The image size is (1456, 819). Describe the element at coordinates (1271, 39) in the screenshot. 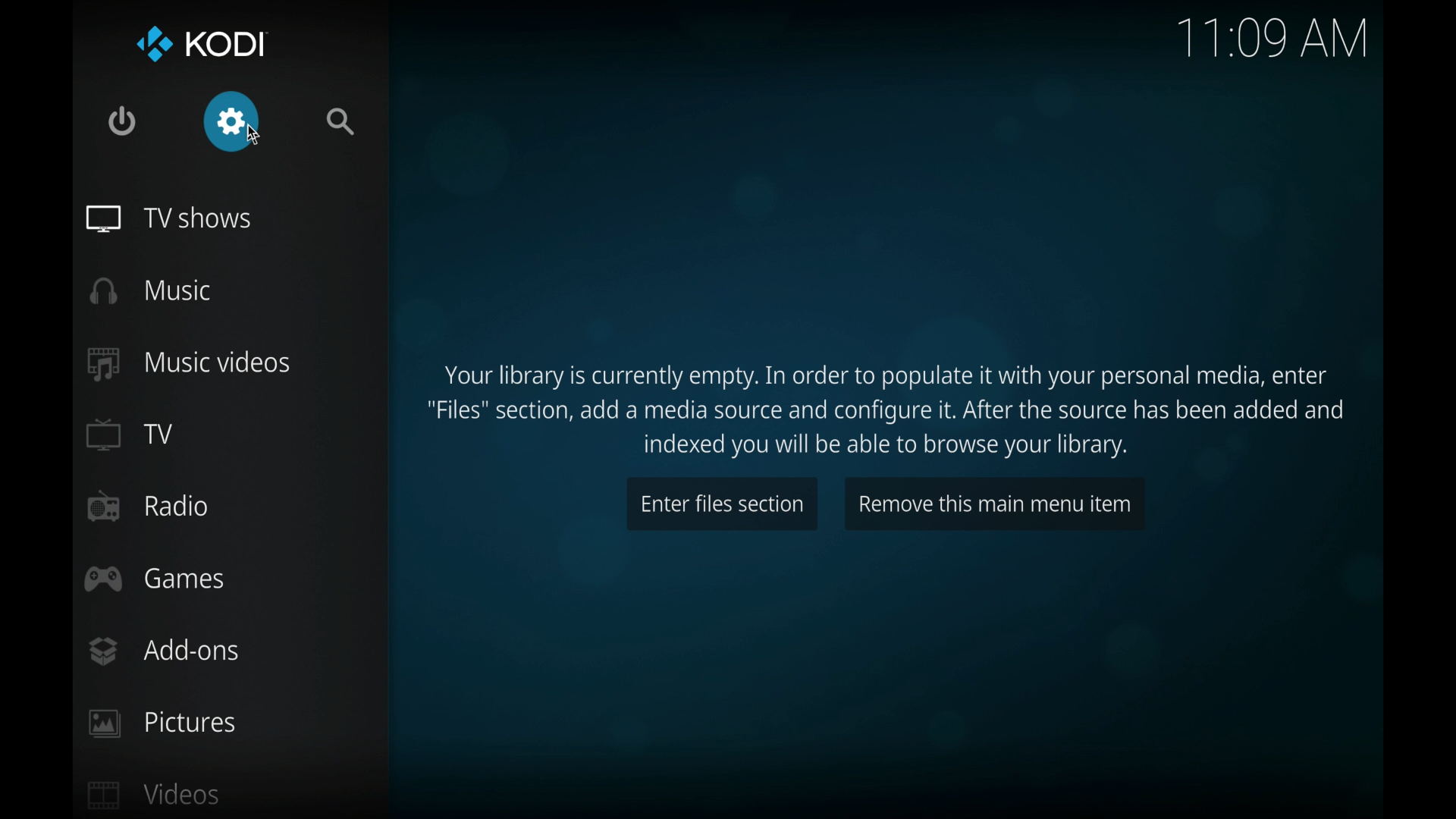

I see `time` at that location.